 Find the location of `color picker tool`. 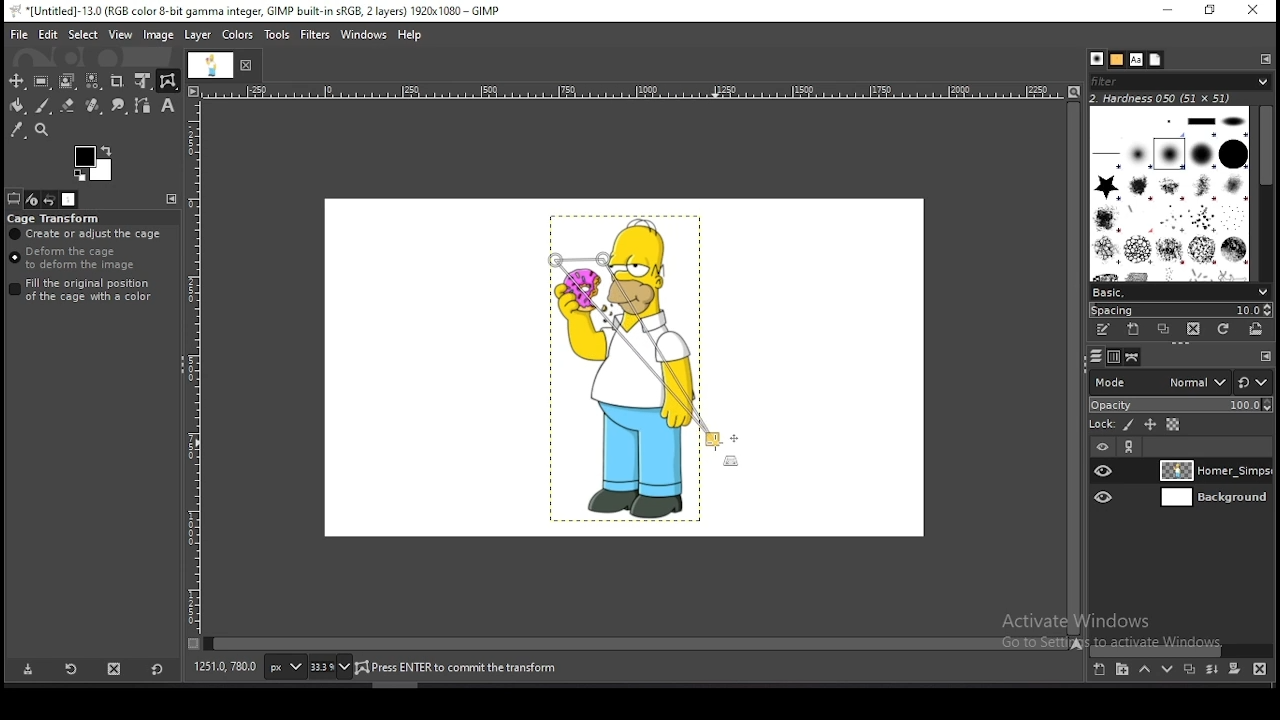

color picker tool is located at coordinates (17, 129).